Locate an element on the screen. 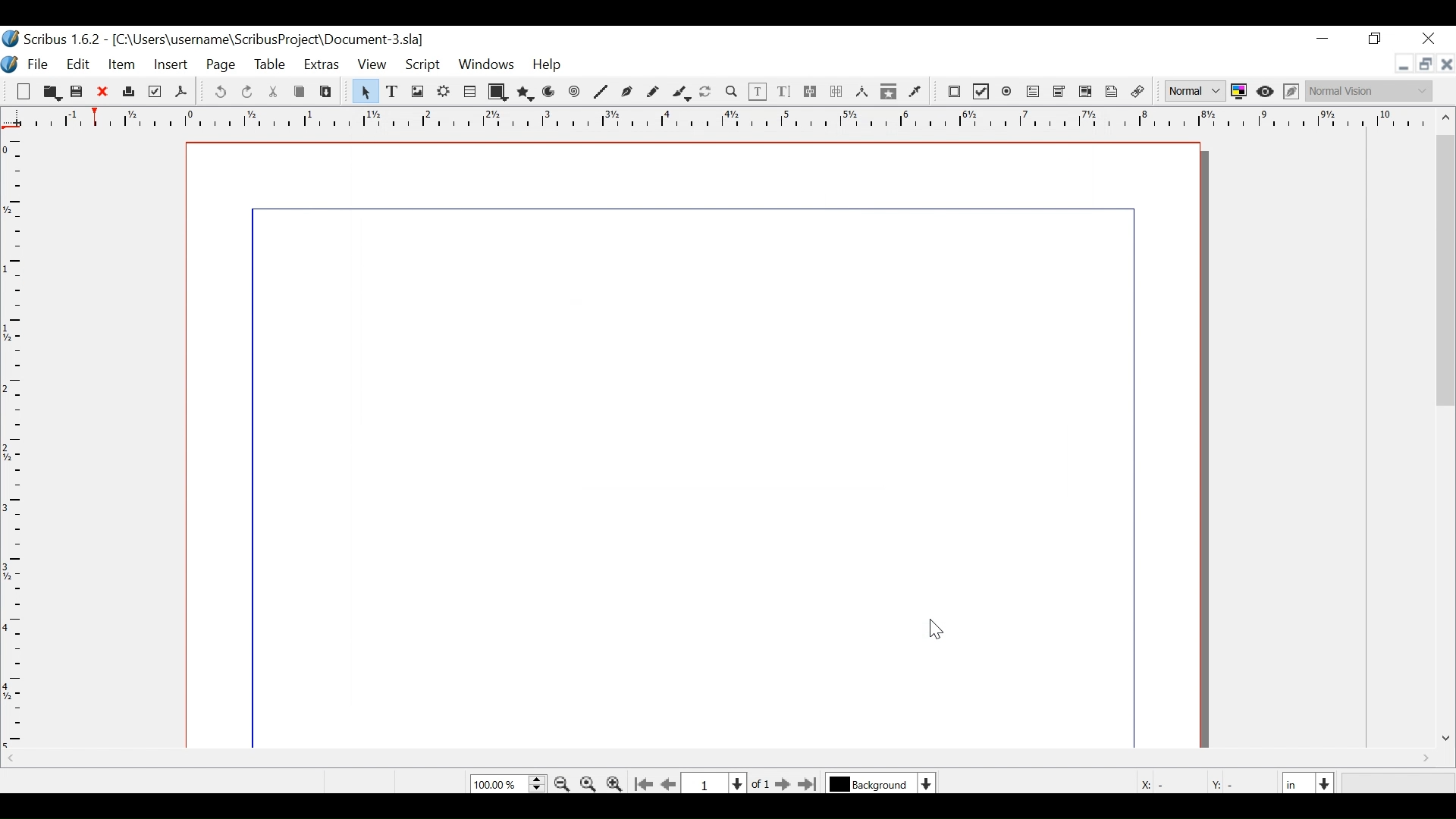 This screenshot has width=1456, height=819. Zoom is located at coordinates (508, 784).